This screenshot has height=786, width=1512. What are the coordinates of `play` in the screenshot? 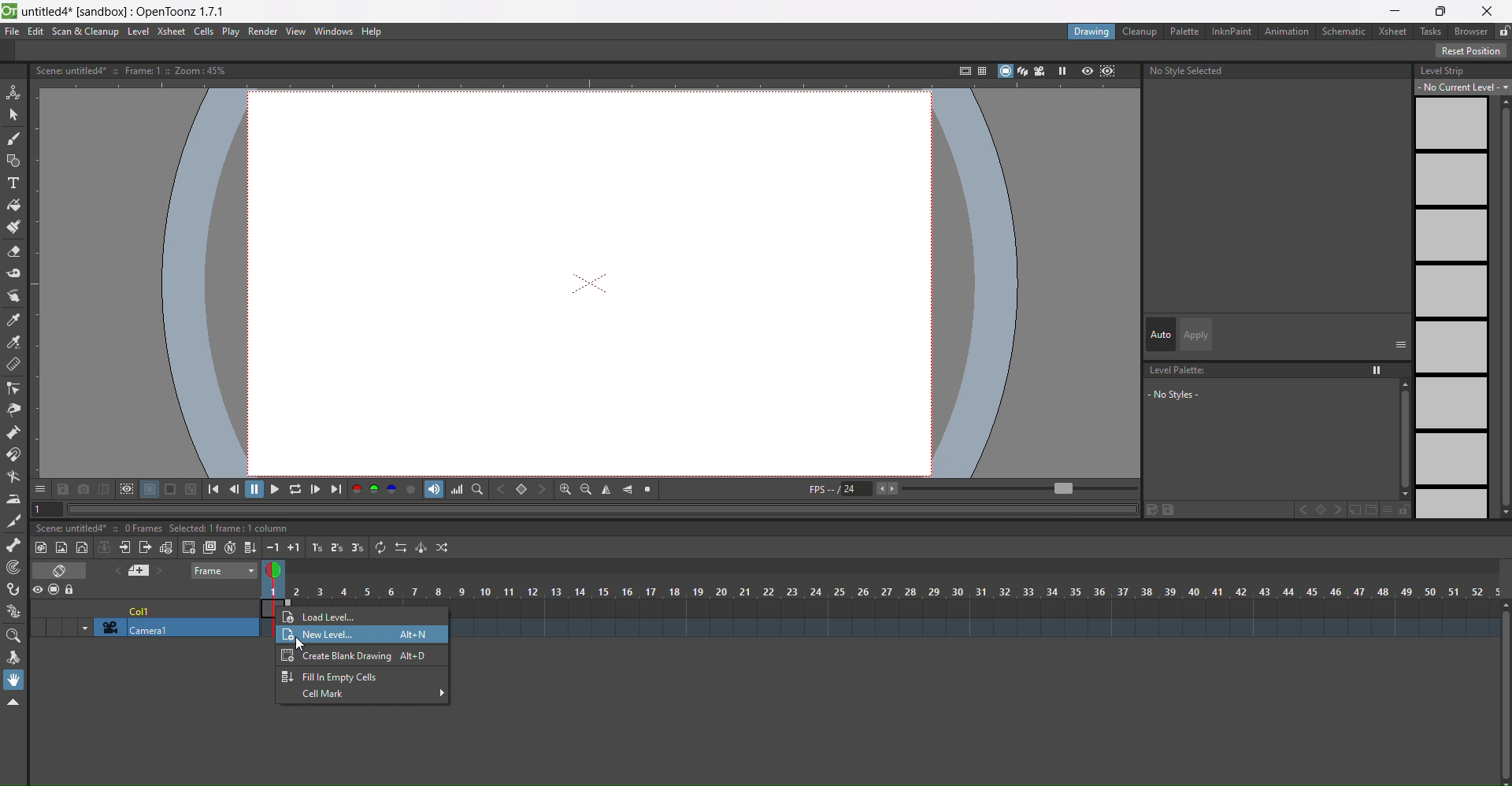 It's located at (274, 488).